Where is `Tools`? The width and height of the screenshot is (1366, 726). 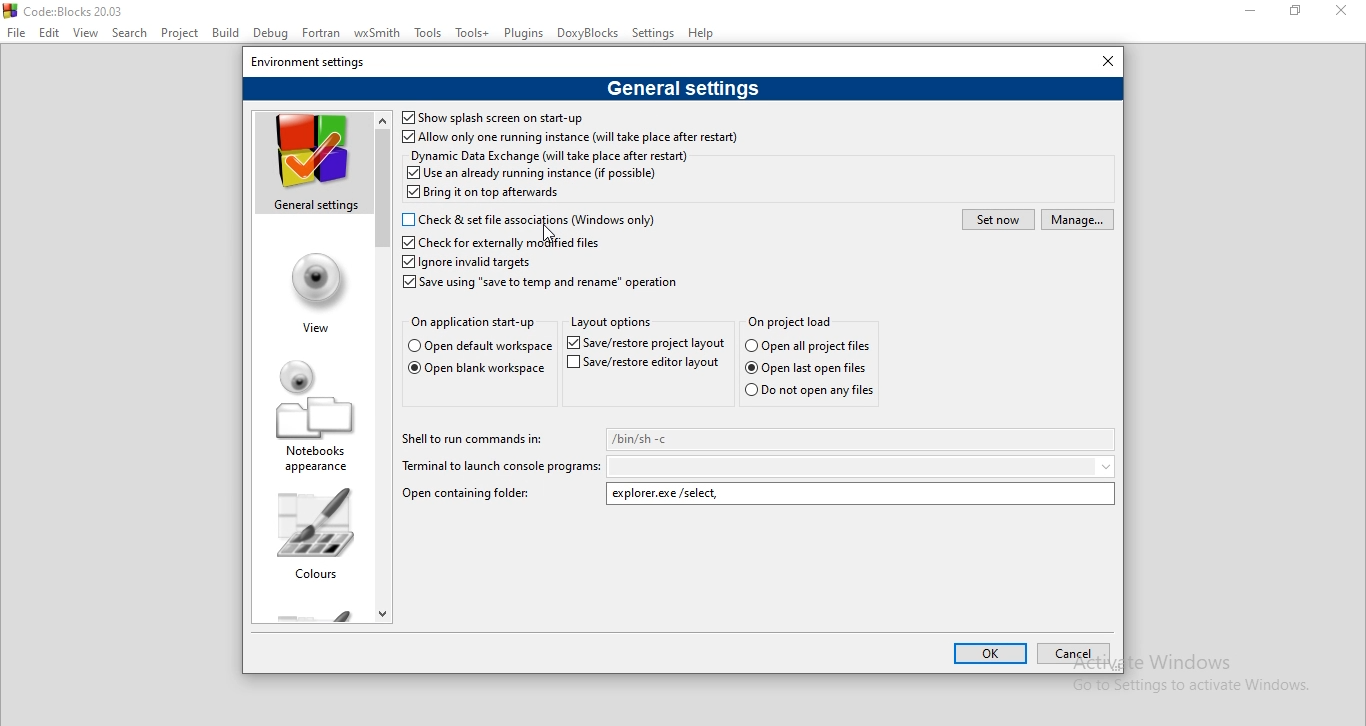 Tools is located at coordinates (429, 34).